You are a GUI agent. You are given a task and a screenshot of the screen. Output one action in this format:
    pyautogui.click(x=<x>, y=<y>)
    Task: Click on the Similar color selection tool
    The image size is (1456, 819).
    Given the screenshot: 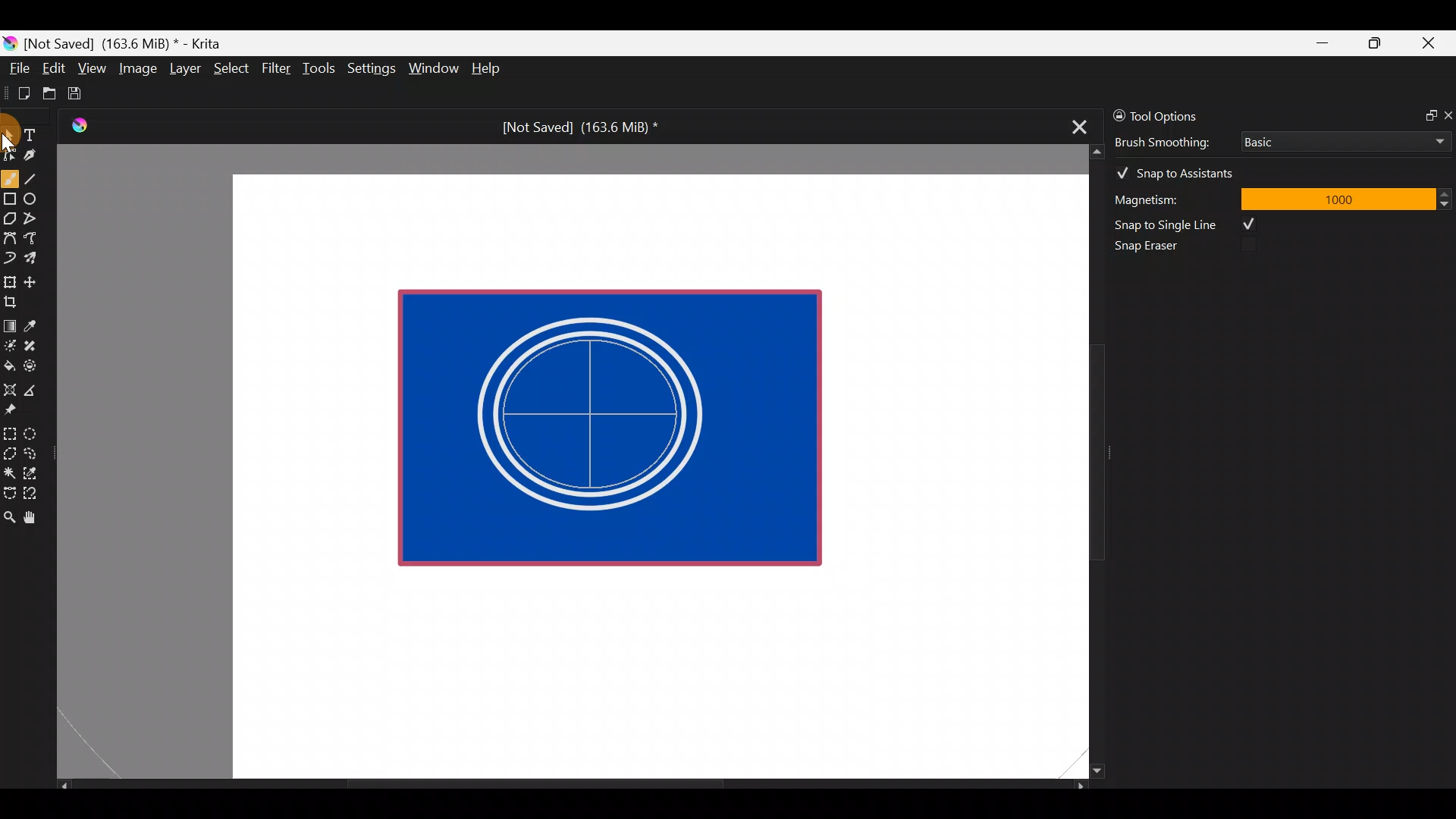 What is the action you would take?
    pyautogui.click(x=33, y=472)
    